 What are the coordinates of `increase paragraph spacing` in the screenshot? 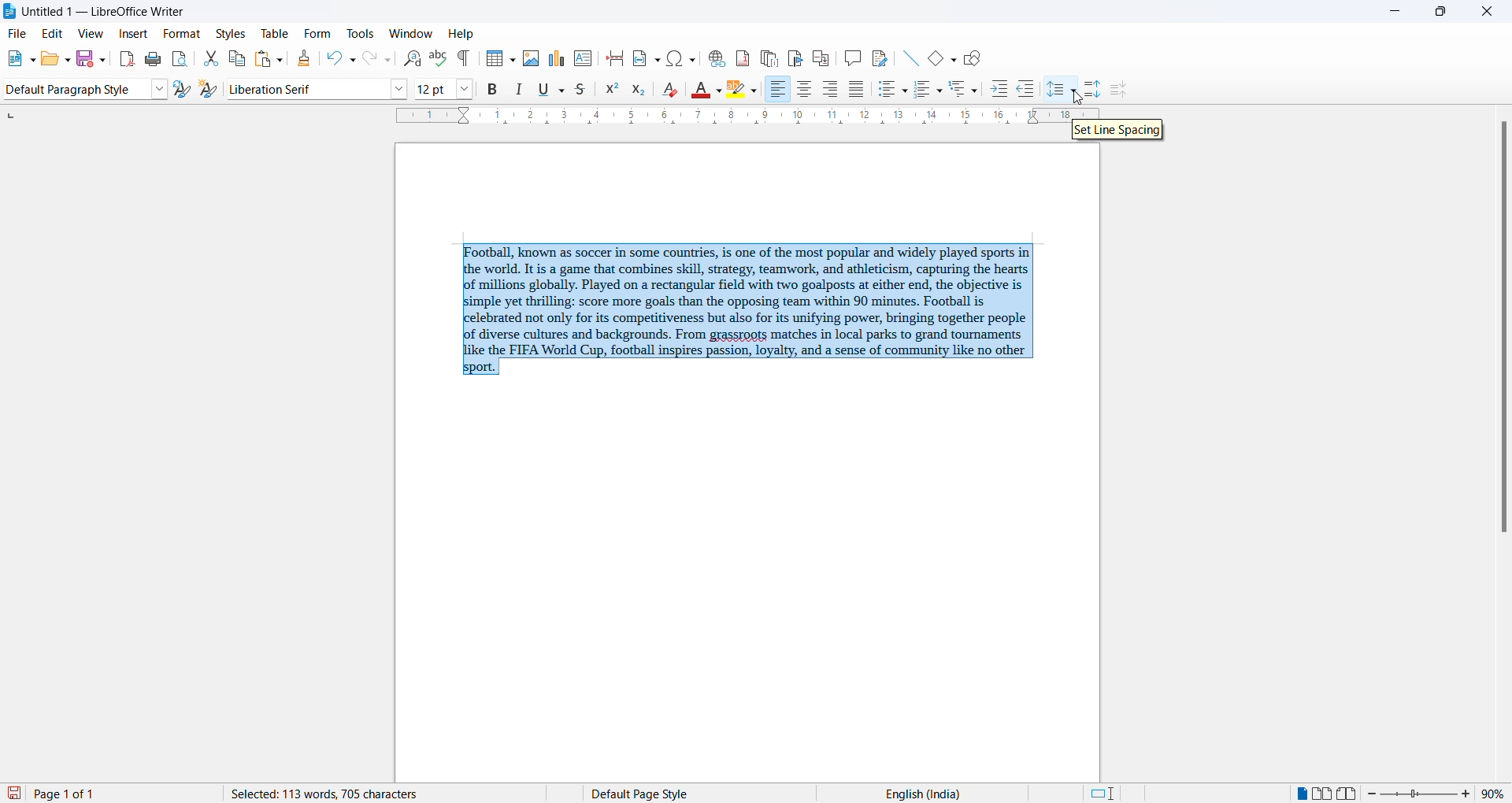 It's located at (1094, 90).